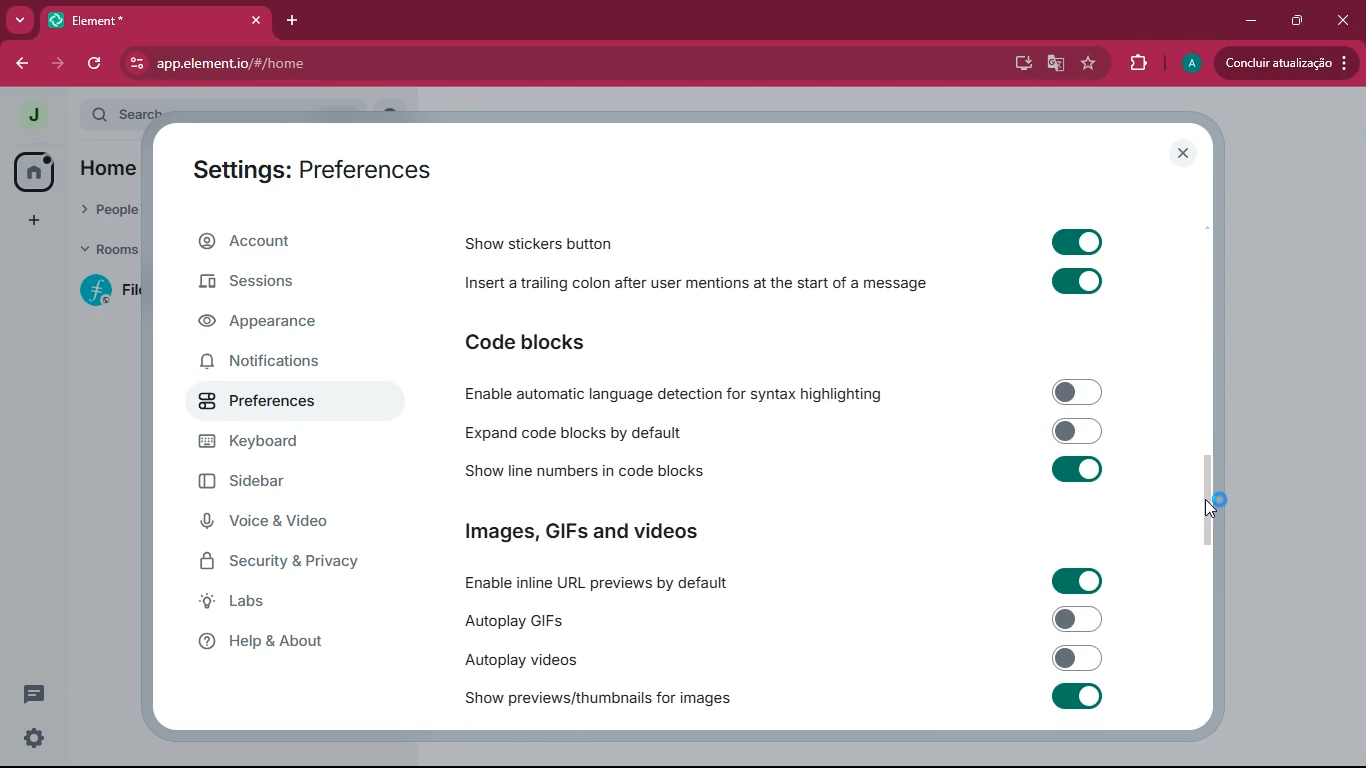 This screenshot has height=768, width=1366. What do you see at coordinates (1077, 471) in the screenshot?
I see `Toggle on` at bounding box center [1077, 471].